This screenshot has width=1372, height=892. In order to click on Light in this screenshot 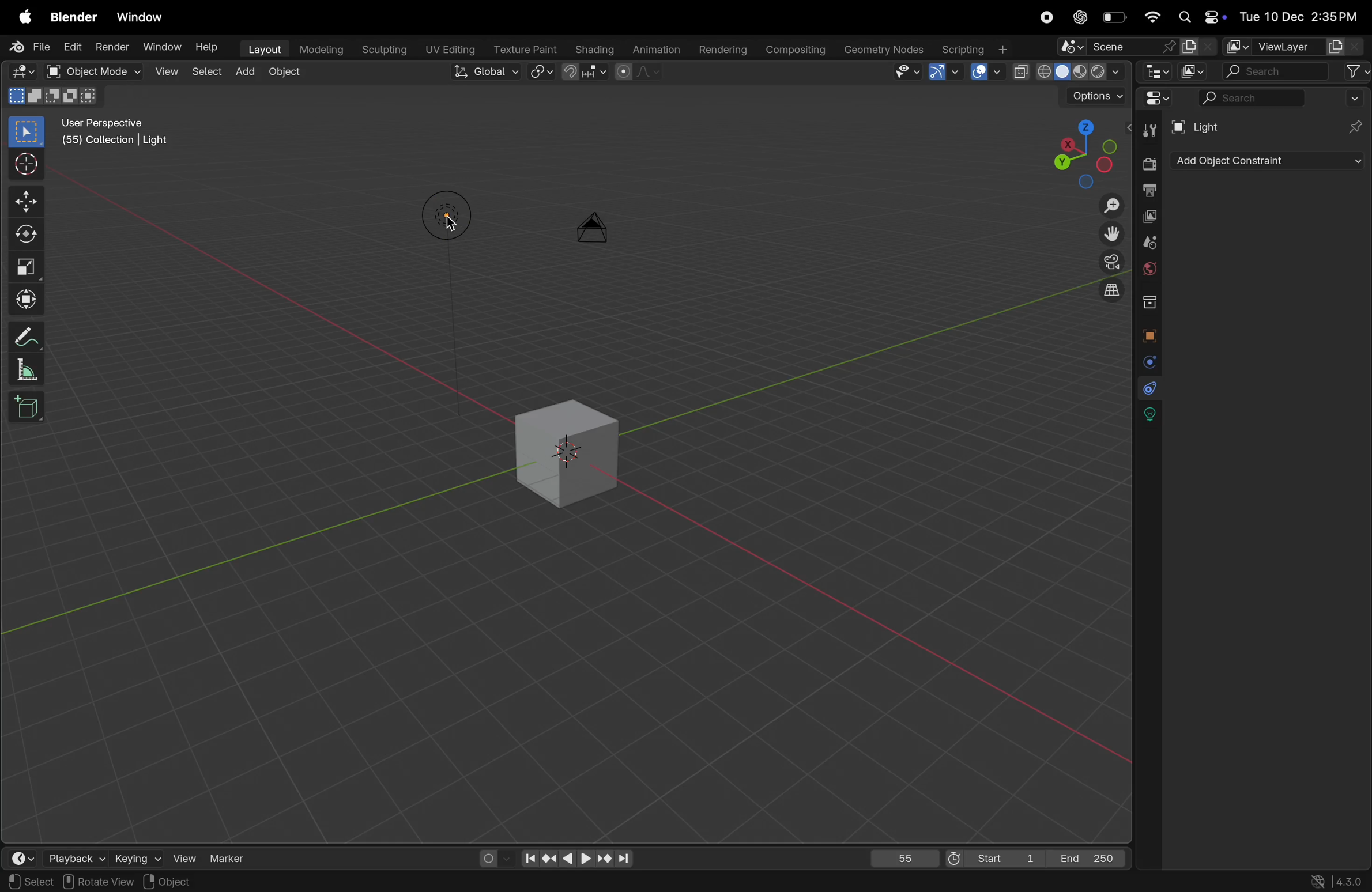, I will do `click(1203, 126)`.